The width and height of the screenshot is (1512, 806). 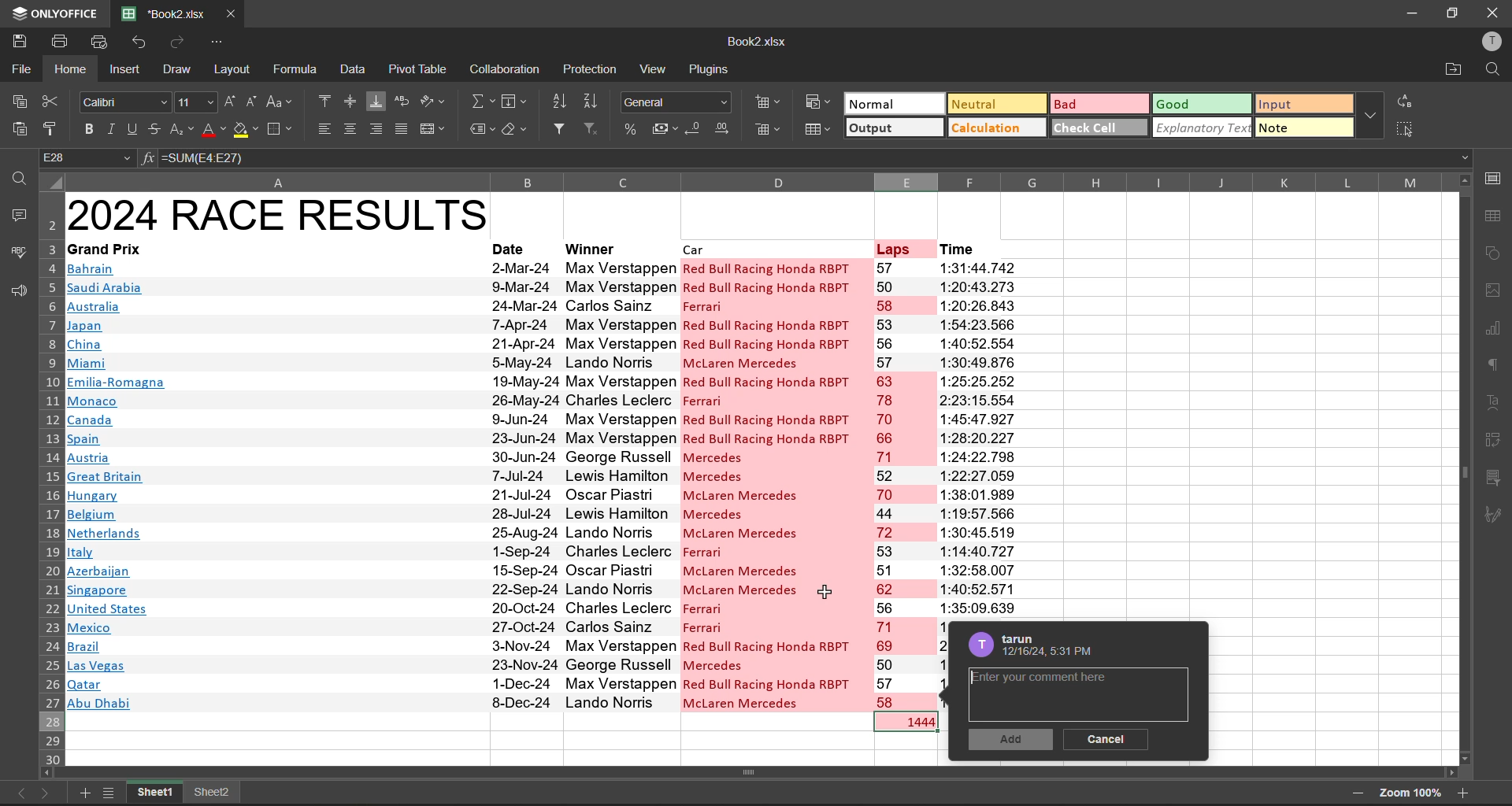 I want to click on cell address, so click(x=86, y=157).